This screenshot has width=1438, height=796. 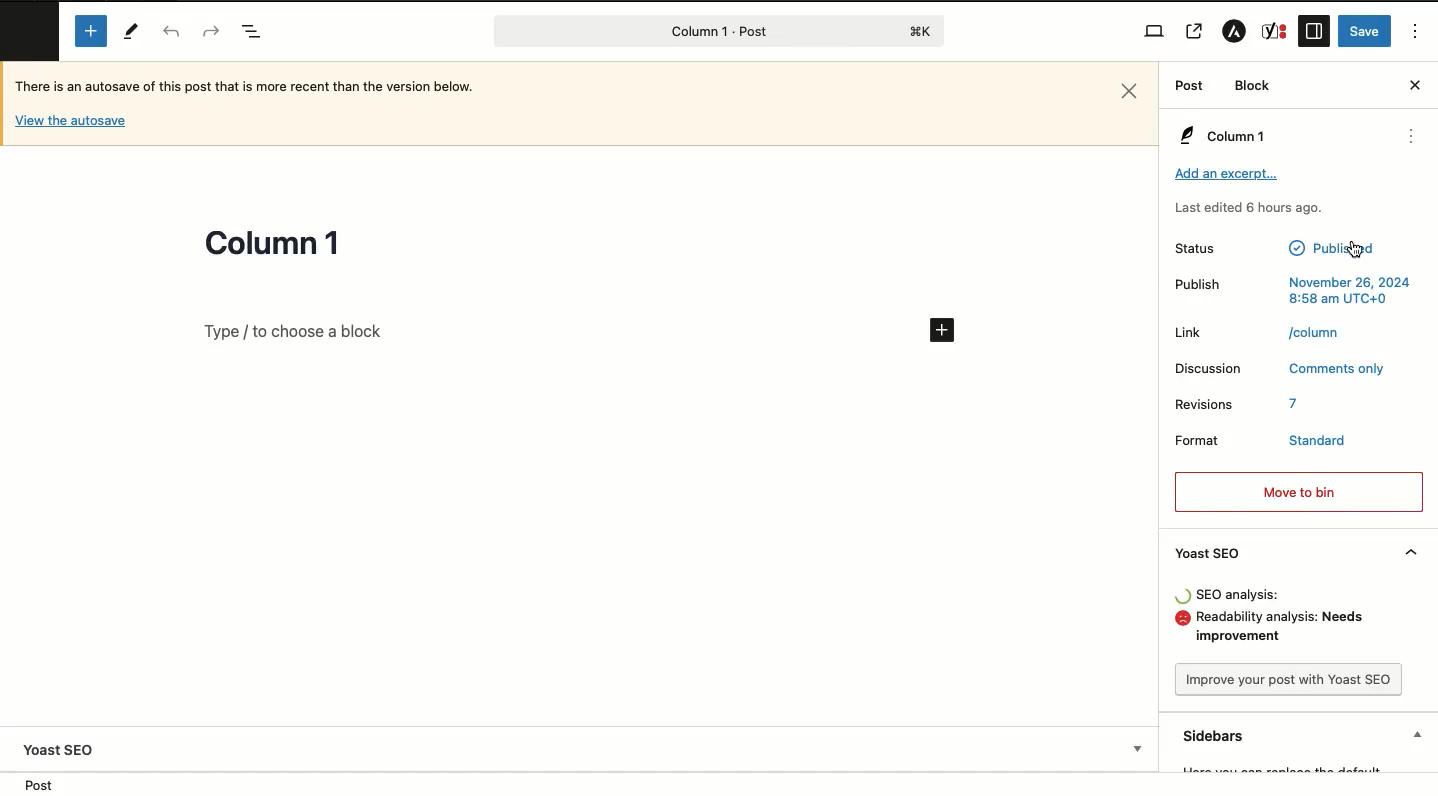 What do you see at coordinates (1154, 32) in the screenshot?
I see `View` at bounding box center [1154, 32].